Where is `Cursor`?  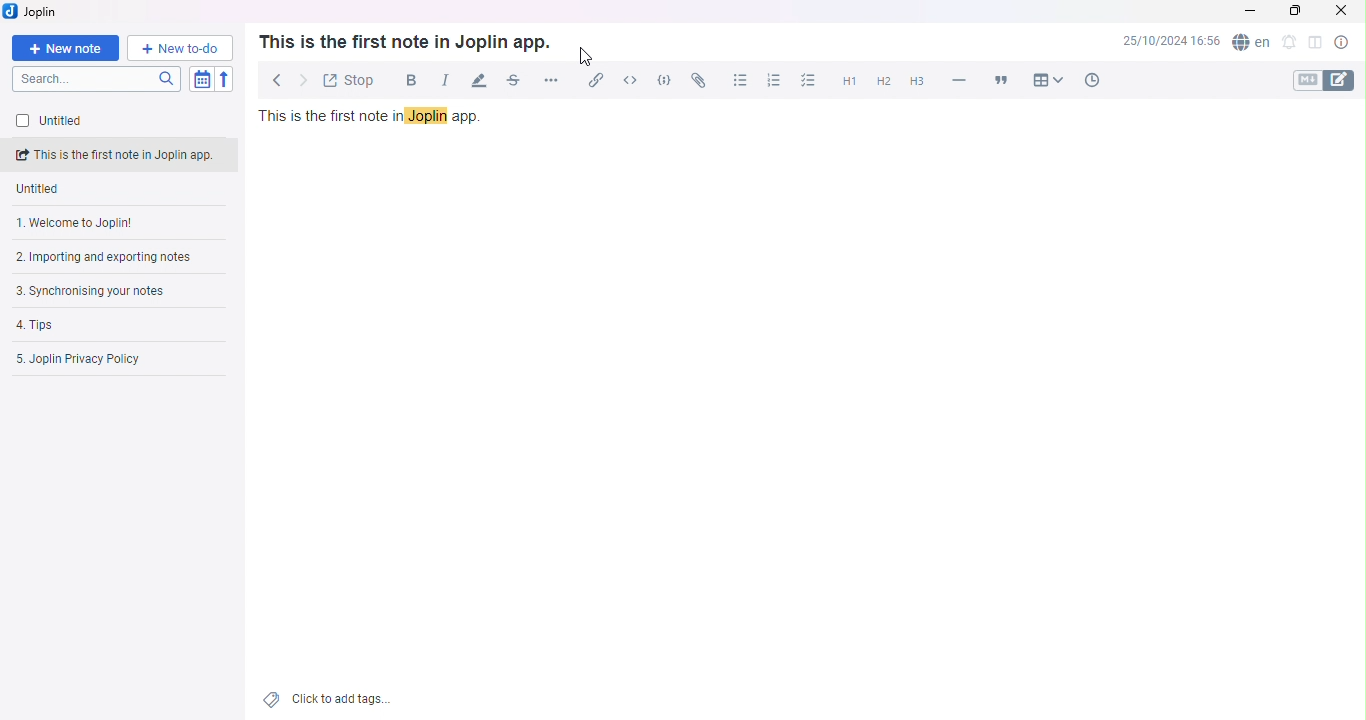 Cursor is located at coordinates (587, 58).